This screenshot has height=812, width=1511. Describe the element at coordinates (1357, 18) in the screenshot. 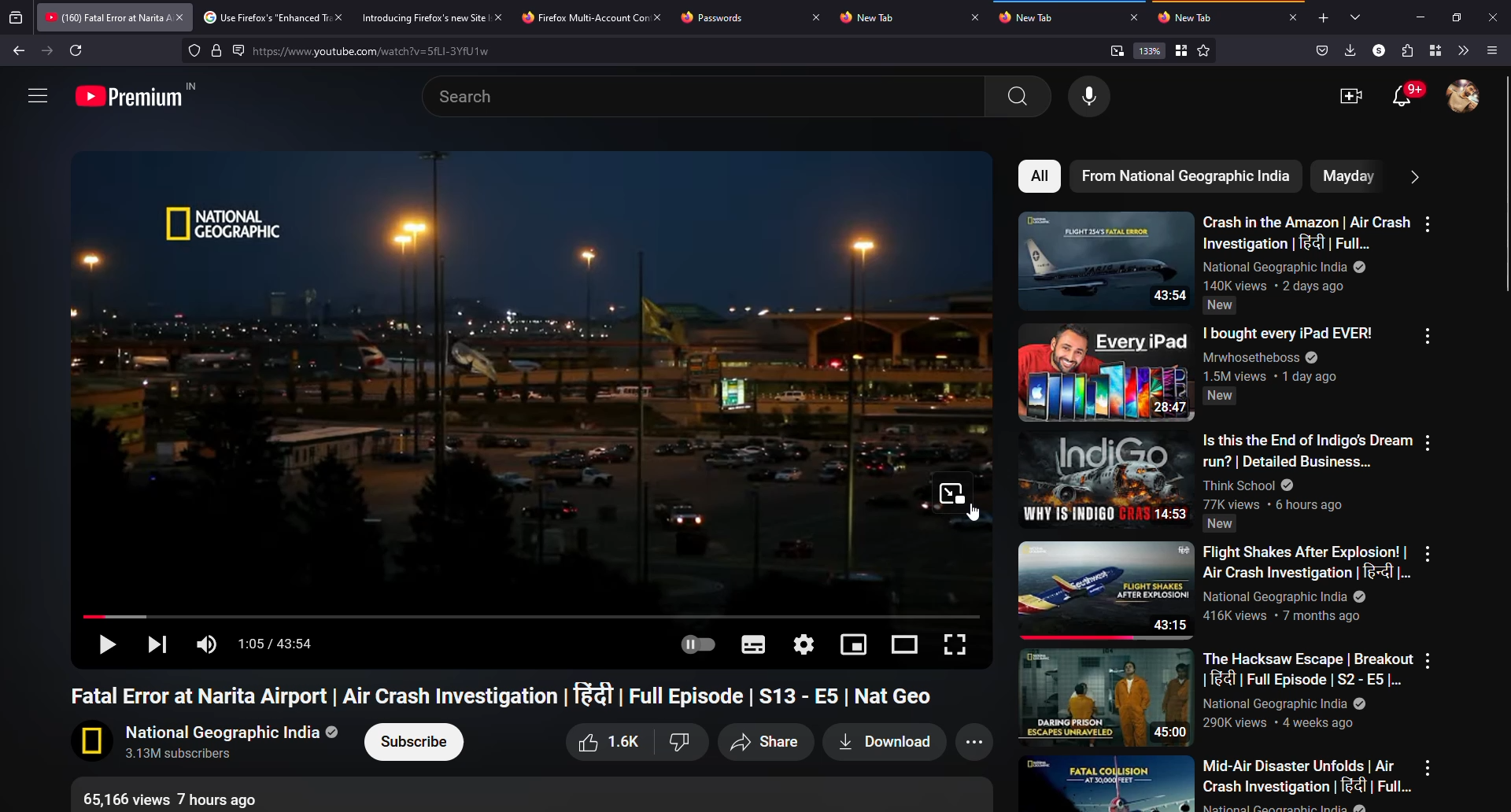

I see `tabs` at that location.